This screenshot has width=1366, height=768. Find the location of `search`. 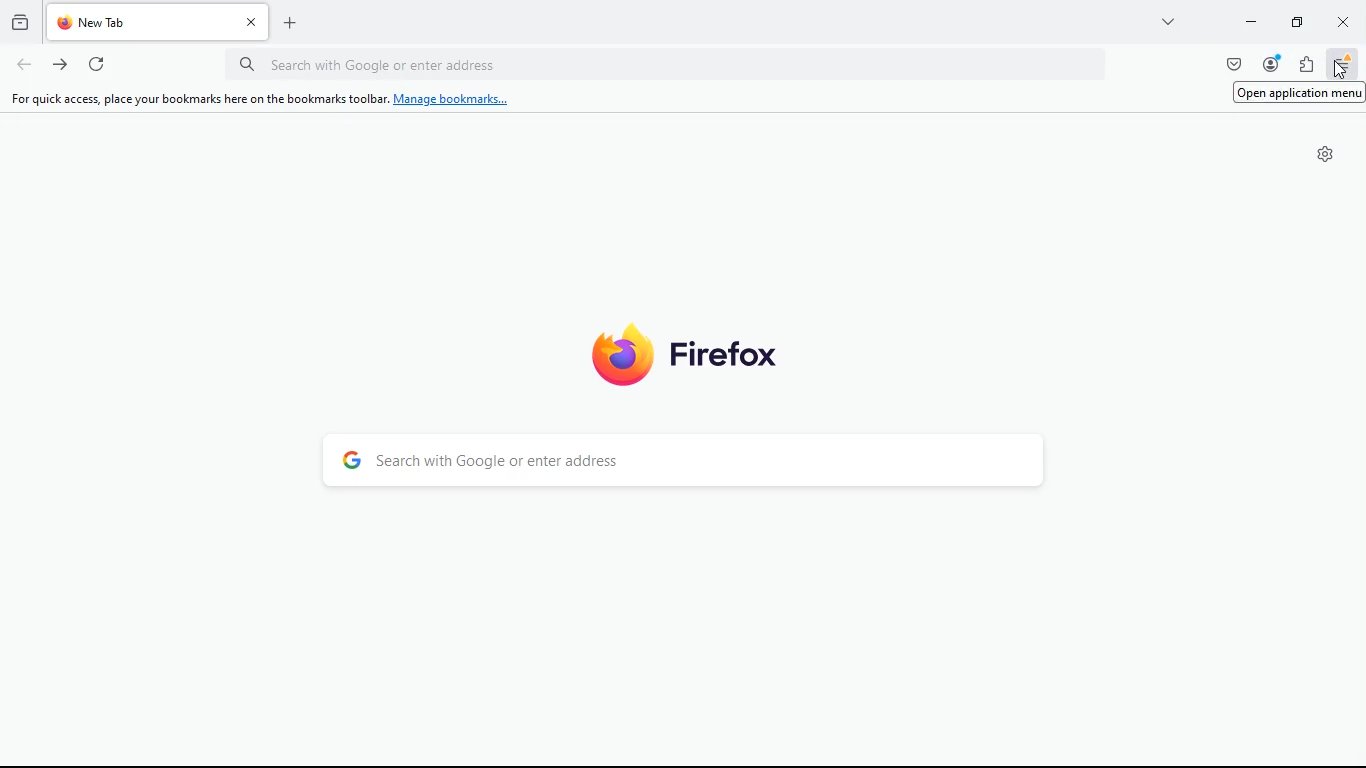

search is located at coordinates (692, 465).